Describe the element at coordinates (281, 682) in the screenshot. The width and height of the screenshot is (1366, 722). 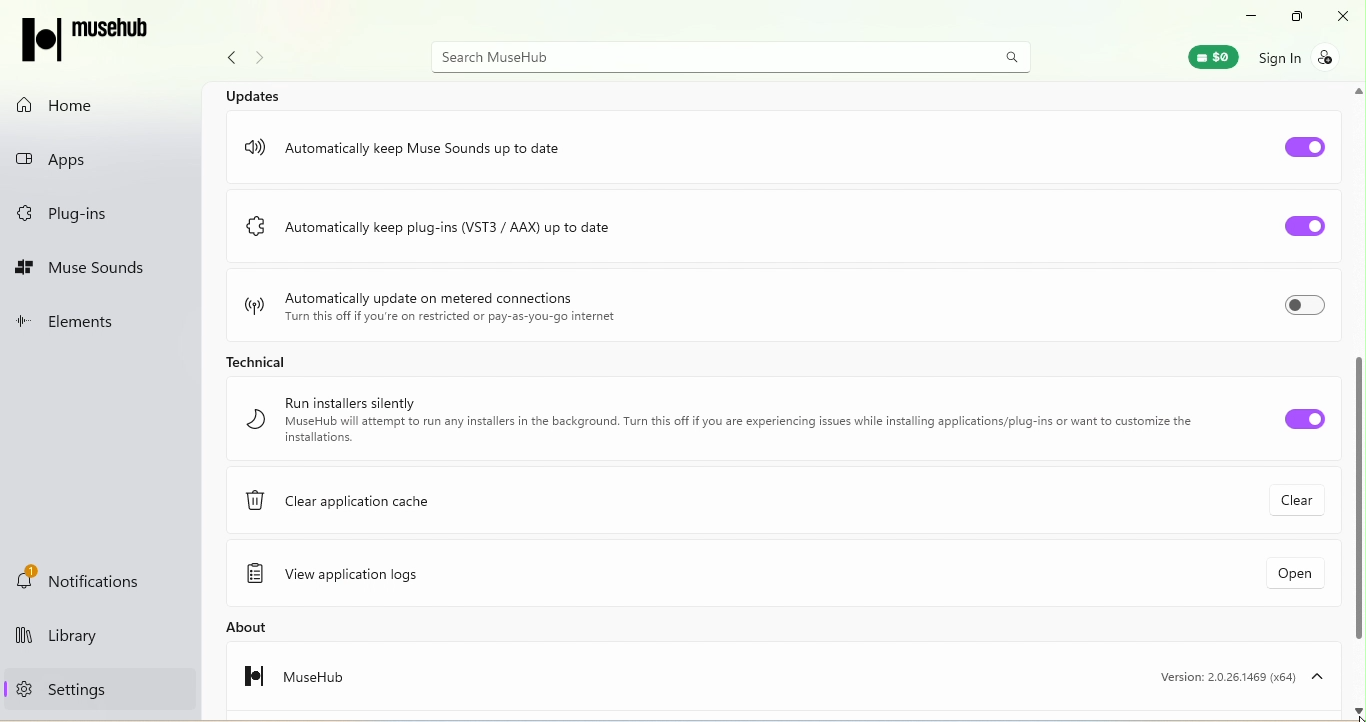
I see `Musehub` at that location.